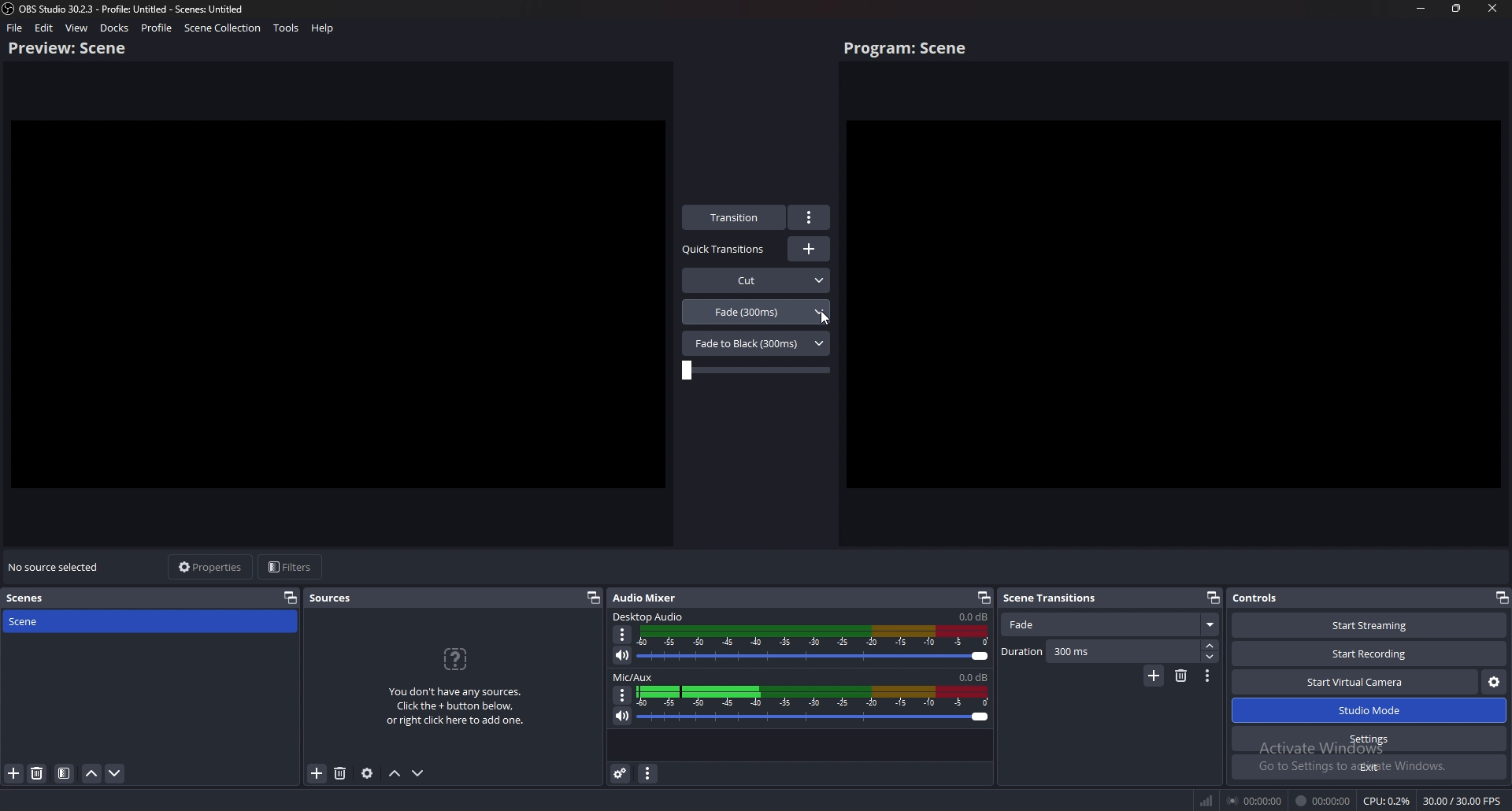  I want to click on no source selected, so click(55, 567).